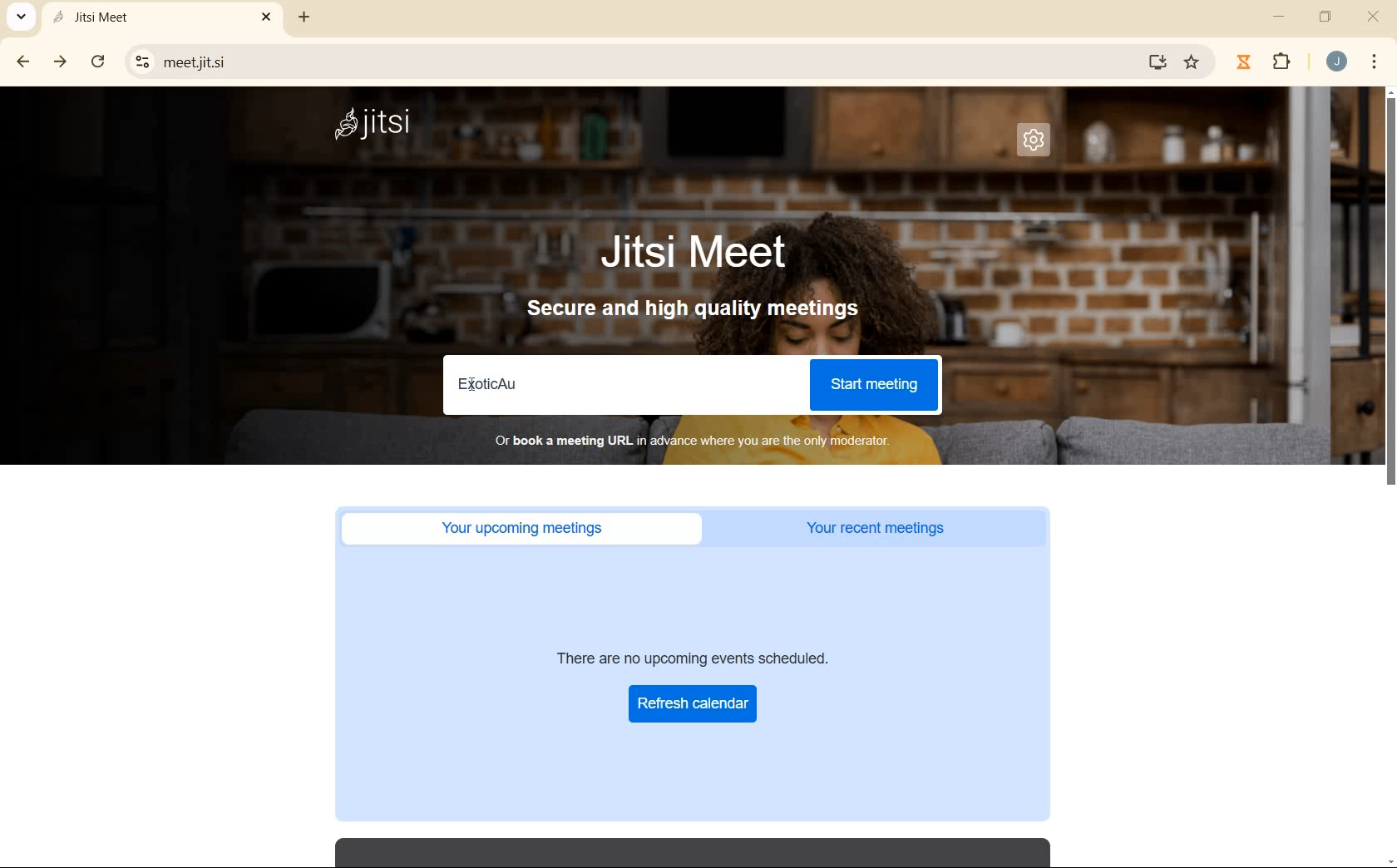 Image resolution: width=1397 pixels, height=868 pixels. What do you see at coordinates (1034, 141) in the screenshot?
I see `settings` at bounding box center [1034, 141].